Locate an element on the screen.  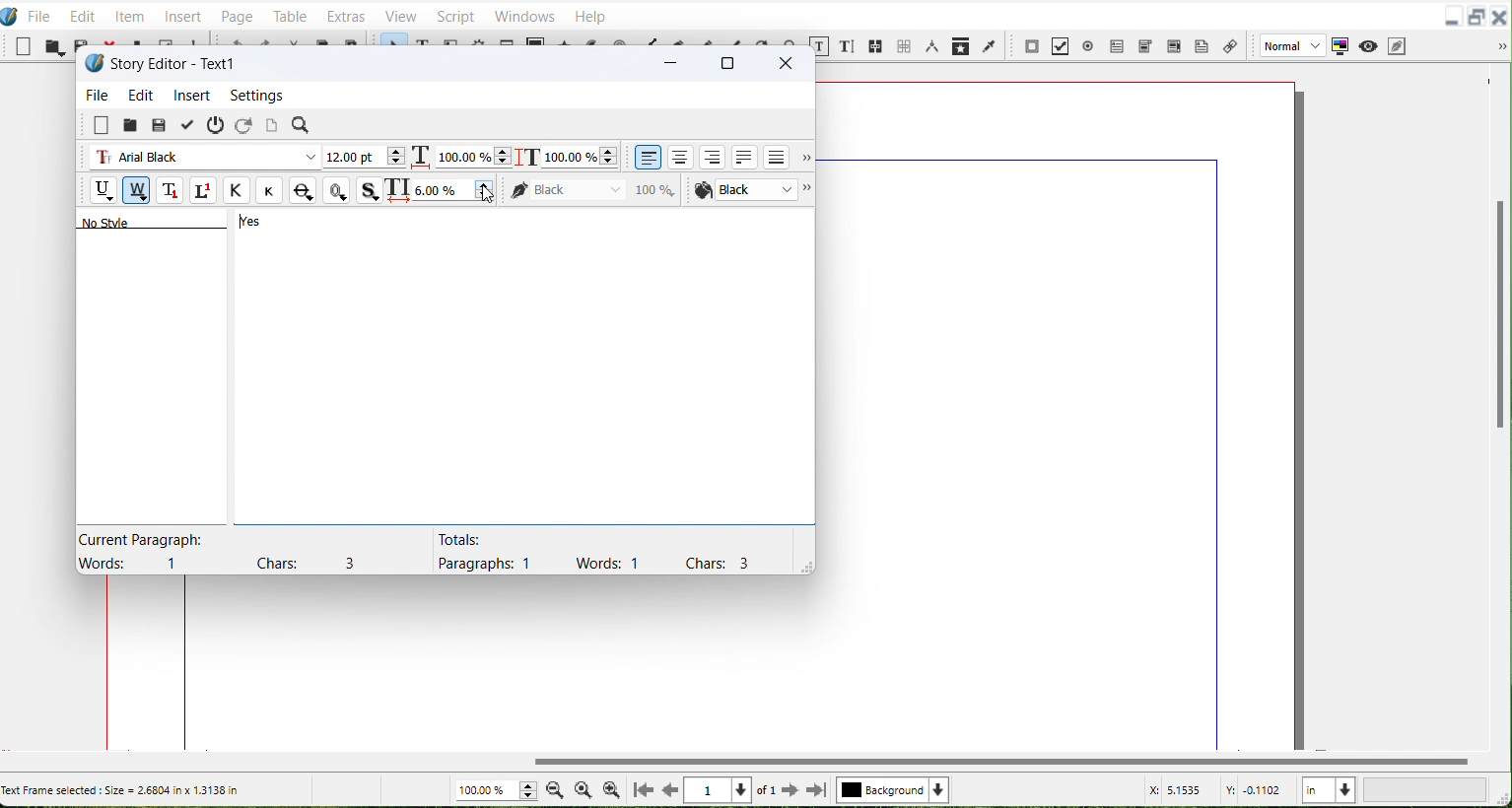
Maximize is located at coordinates (1478, 16).